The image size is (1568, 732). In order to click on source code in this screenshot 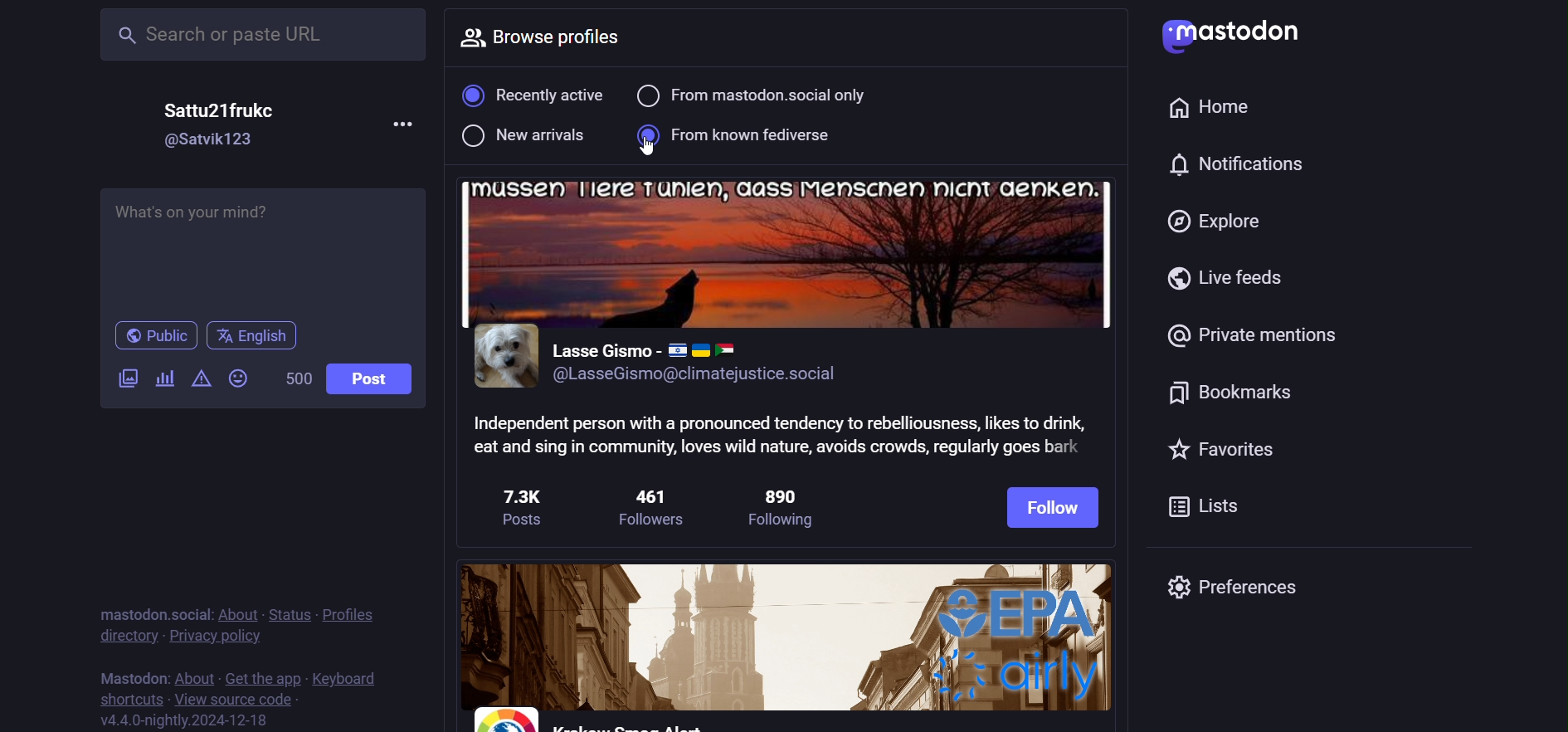, I will do `click(235, 699)`.